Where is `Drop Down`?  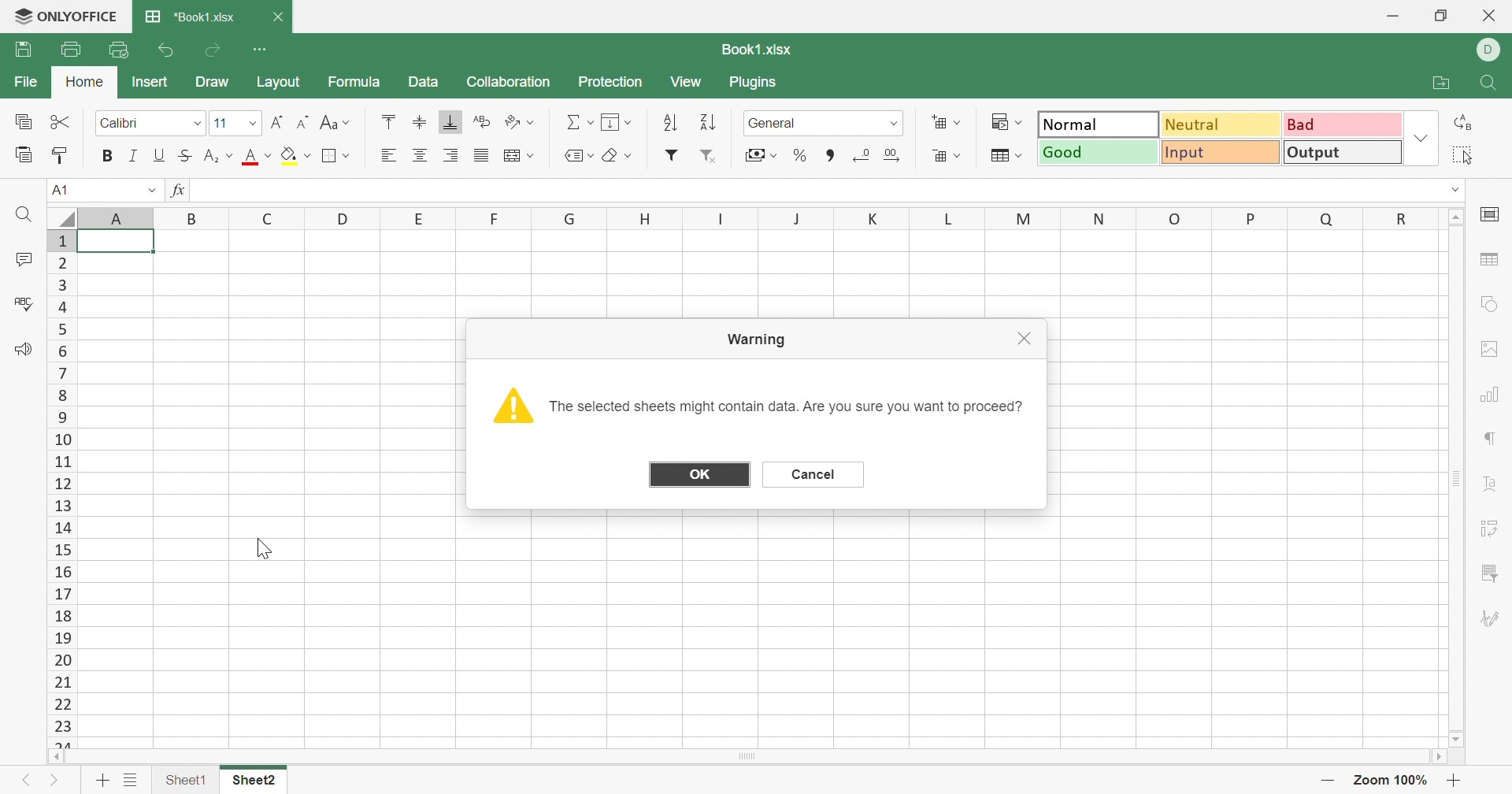
Drop Down is located at coordinates (958, 122).